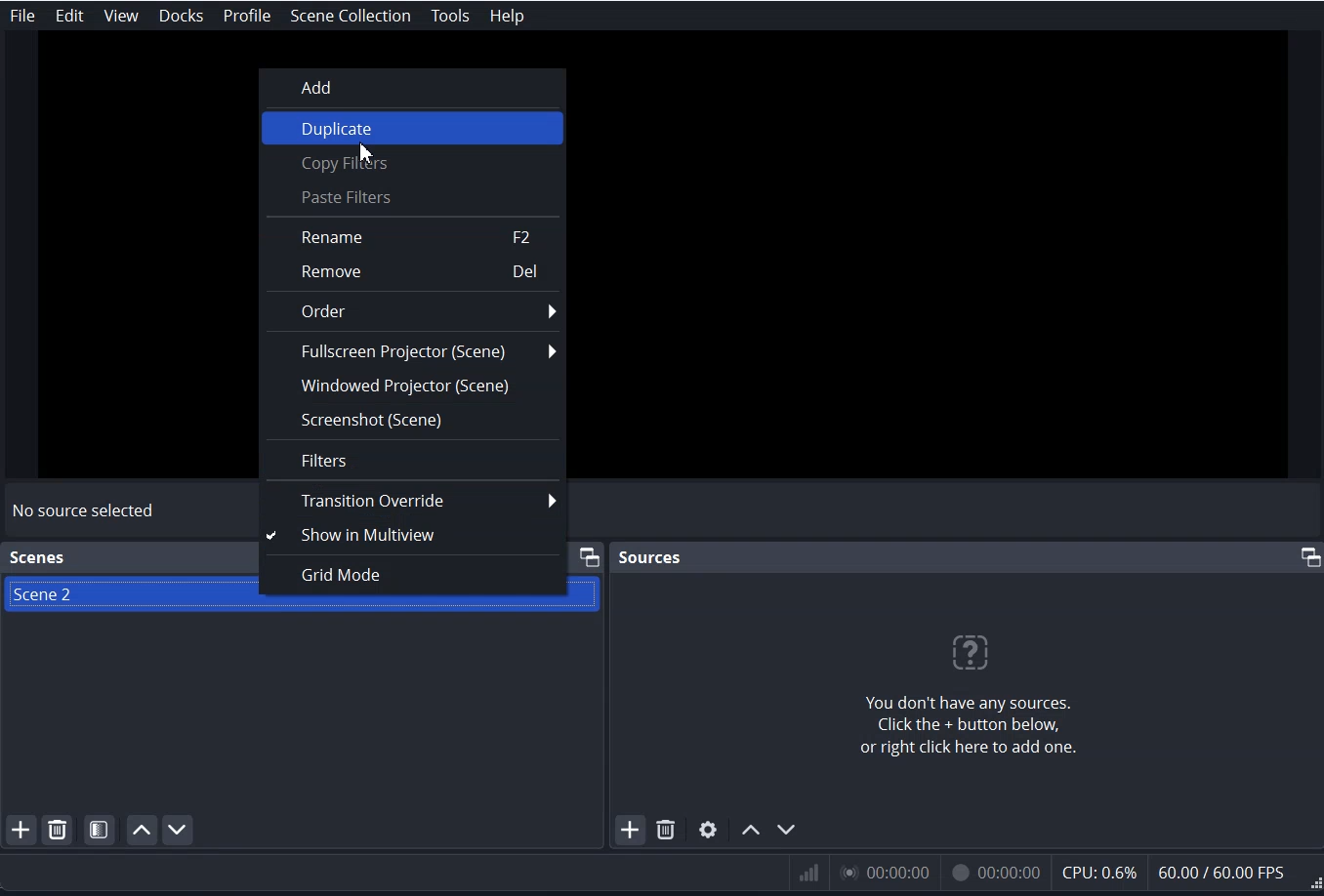 The height and width of the screenshot is (896, 1324). I want to click on Docks, so click(184, 16).